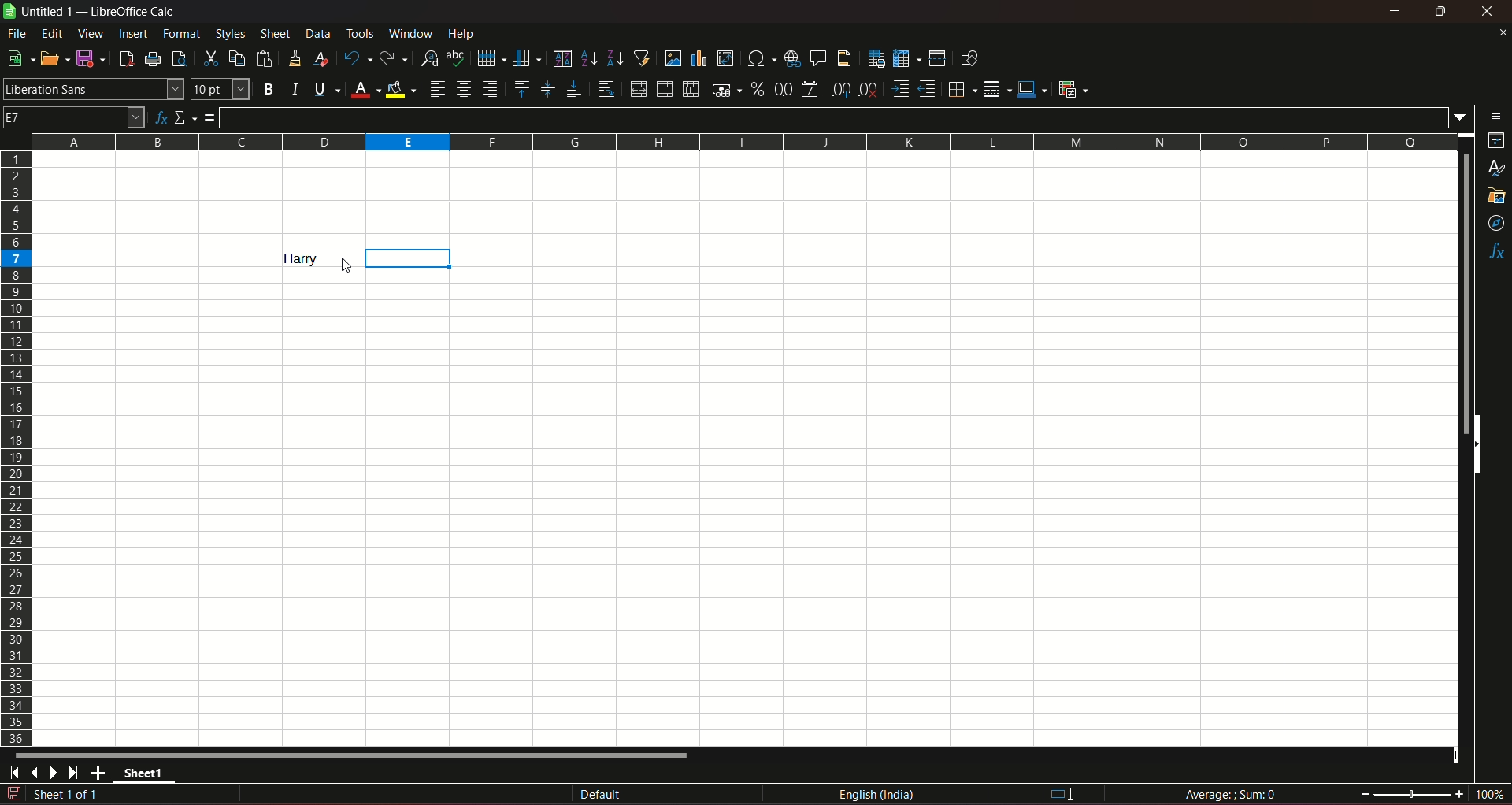 The width and height of the screenshot is (1512, 805). Describe the element at coordinates (295, 88) in the screenshot. I see `italic` at that location.